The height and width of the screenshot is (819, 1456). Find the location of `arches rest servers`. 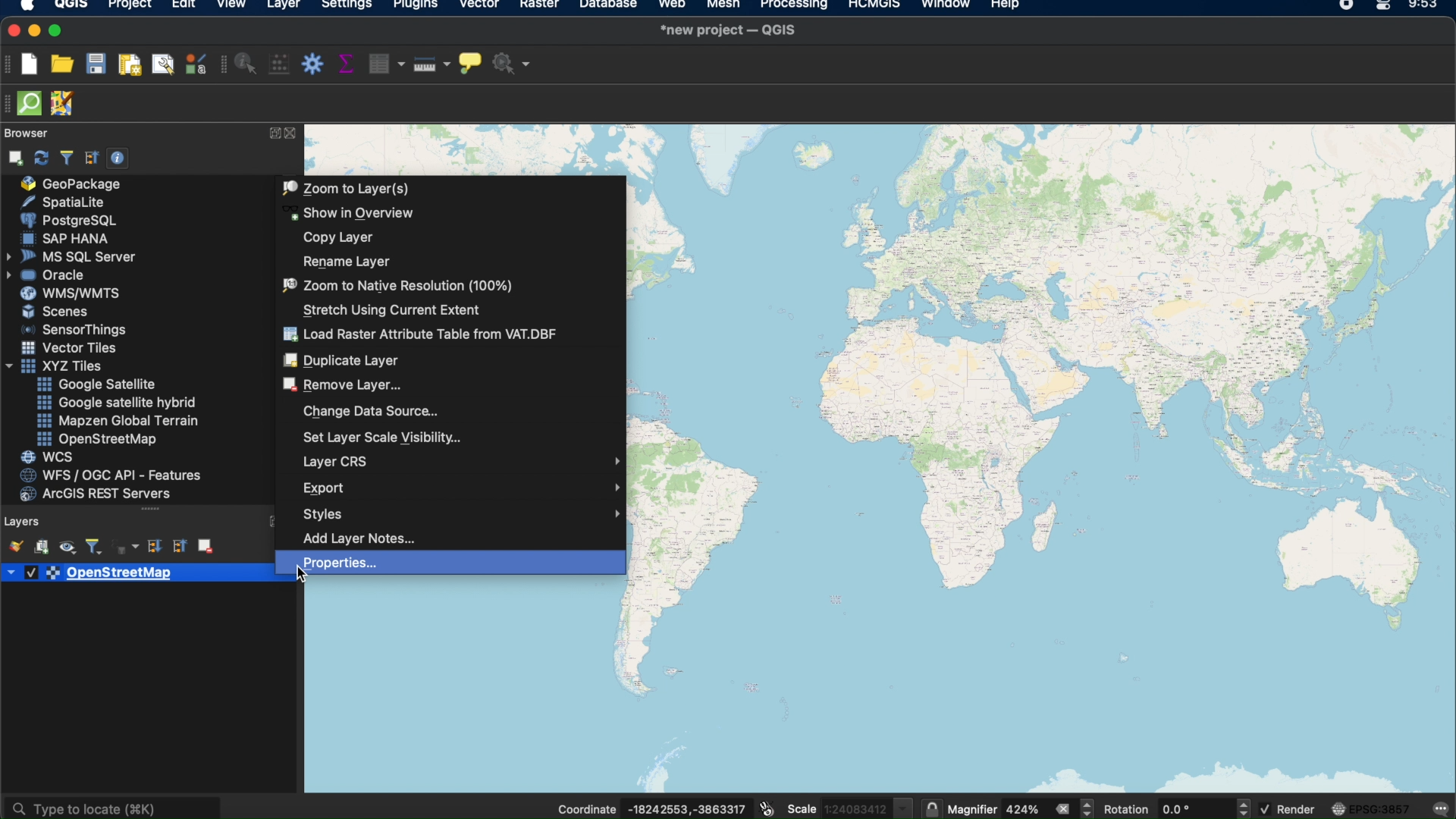

arches rest servers is located at coordinates (101, 495).